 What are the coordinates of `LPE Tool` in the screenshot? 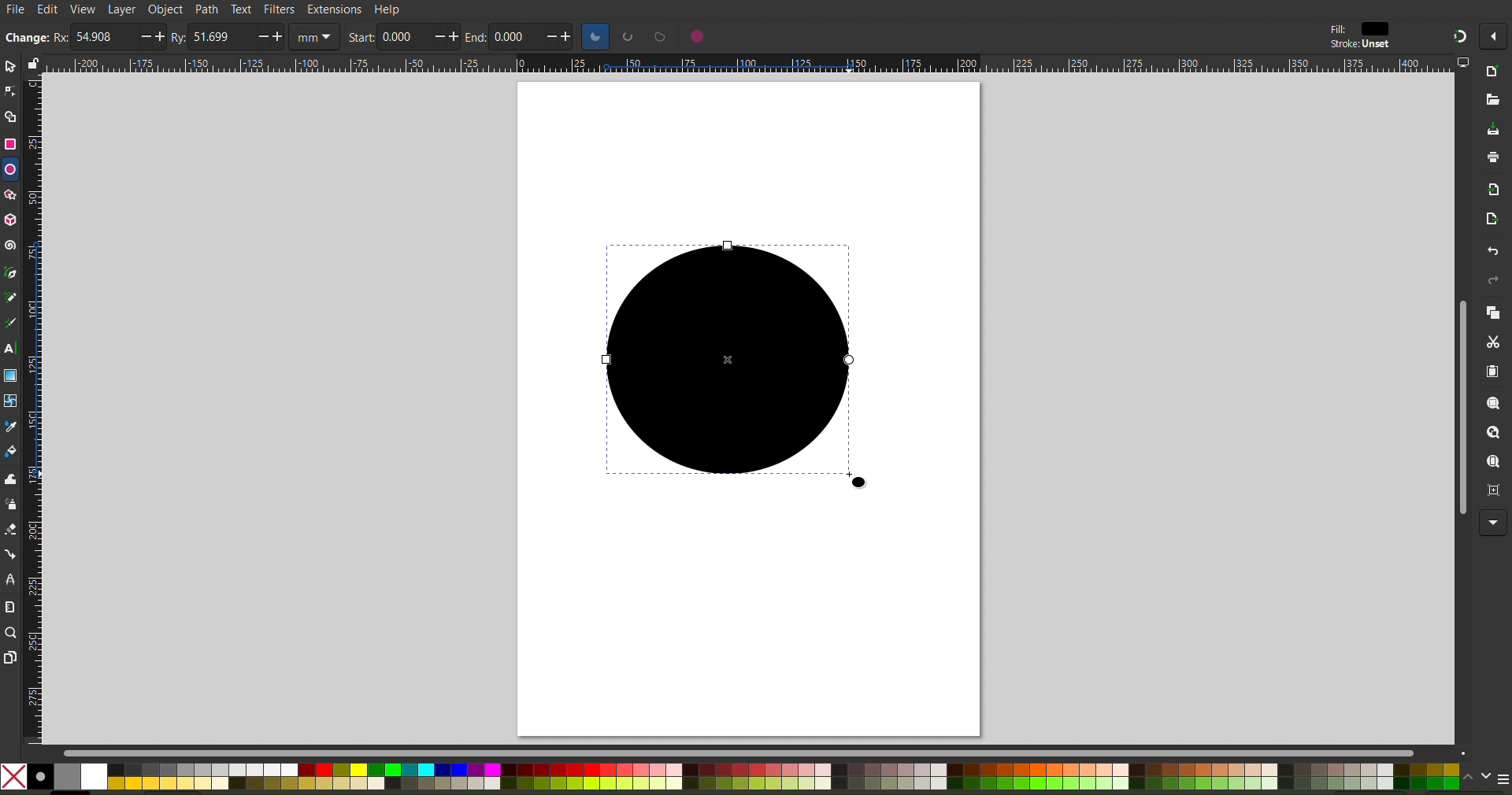 It's located at (10, 579).